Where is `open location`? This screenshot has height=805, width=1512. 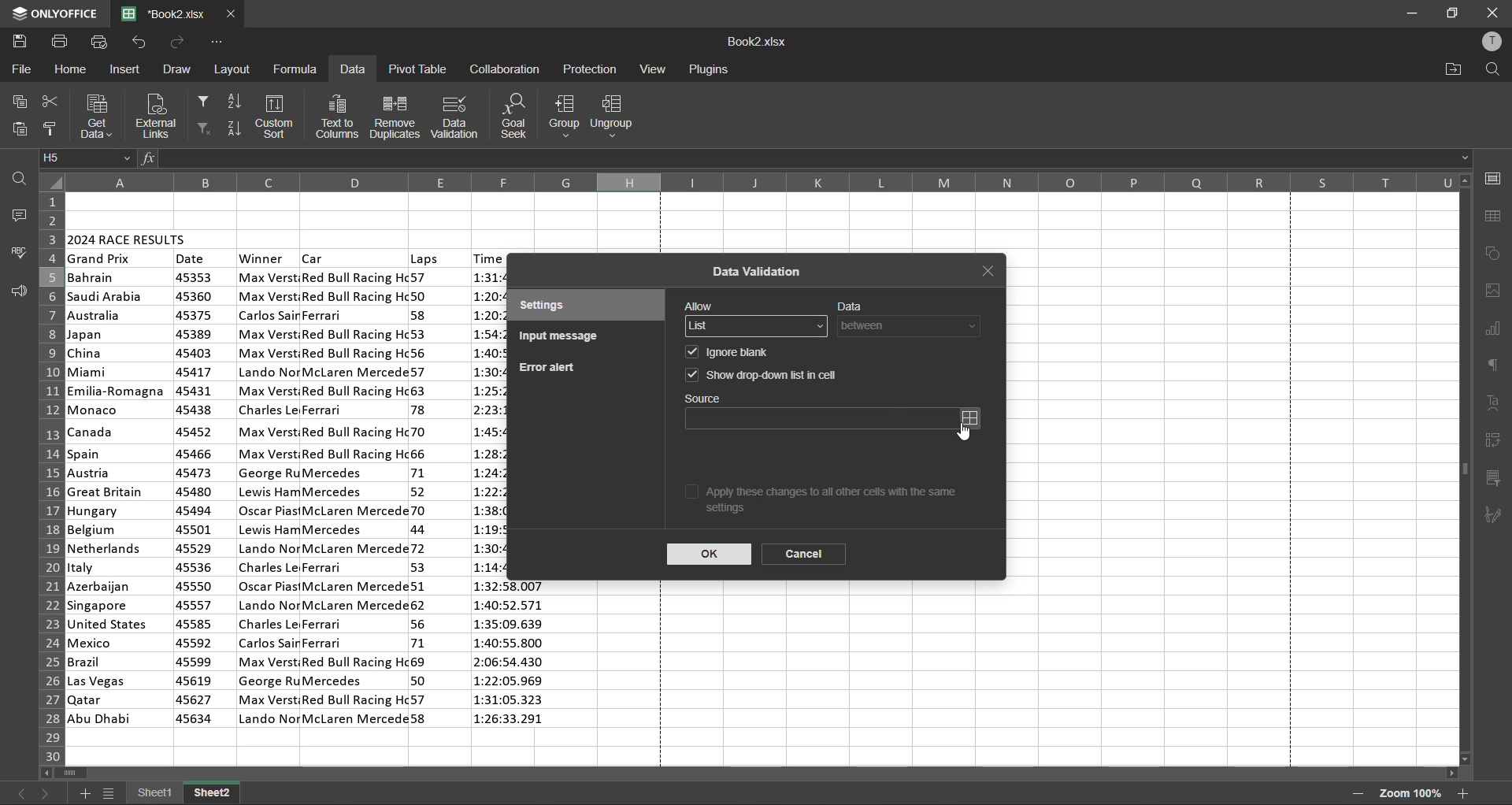
open location is located at coordinates (1454, 69).